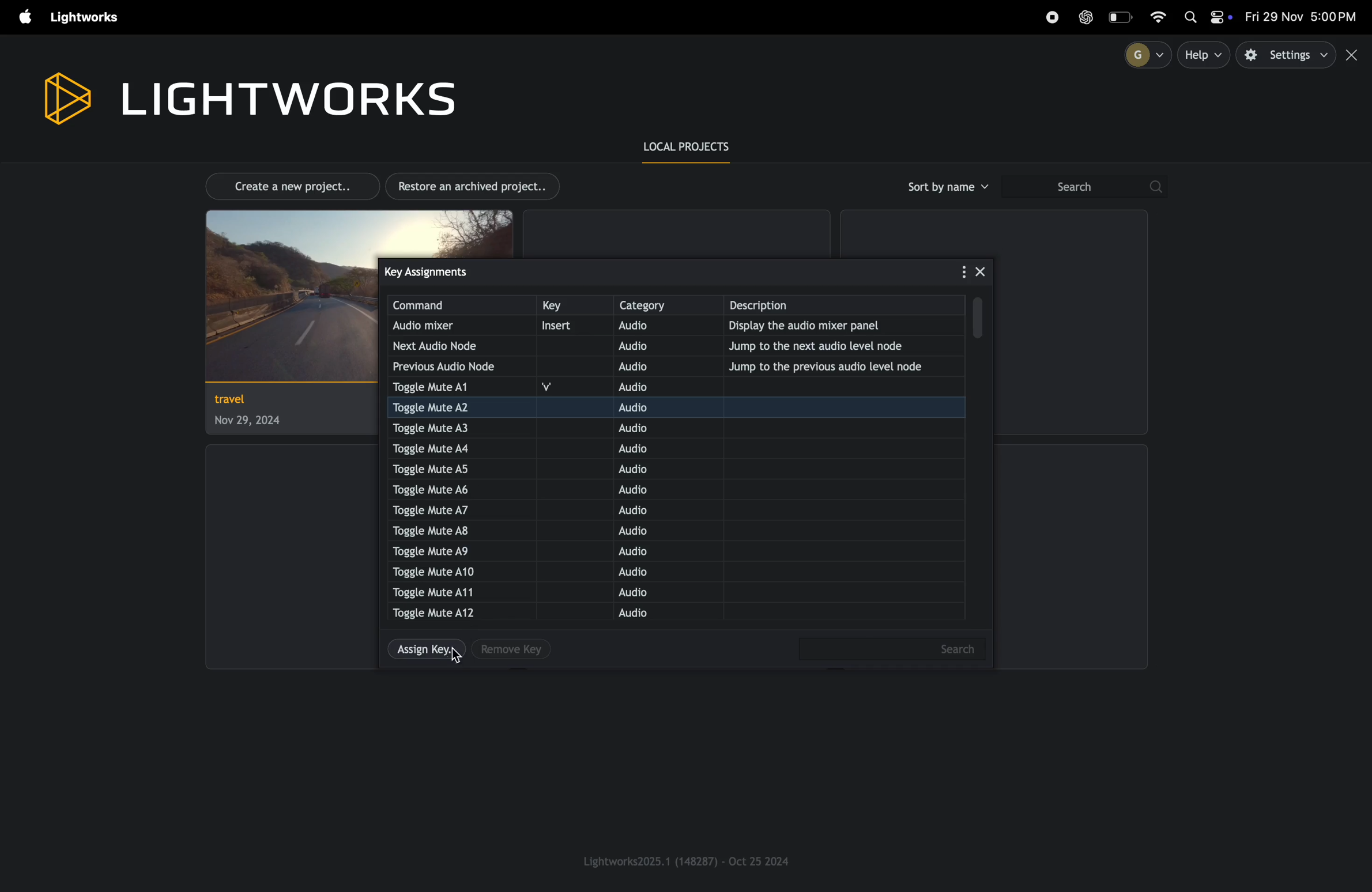 The image size is (1372, 892). I want to click on audio, so click(652, 365).